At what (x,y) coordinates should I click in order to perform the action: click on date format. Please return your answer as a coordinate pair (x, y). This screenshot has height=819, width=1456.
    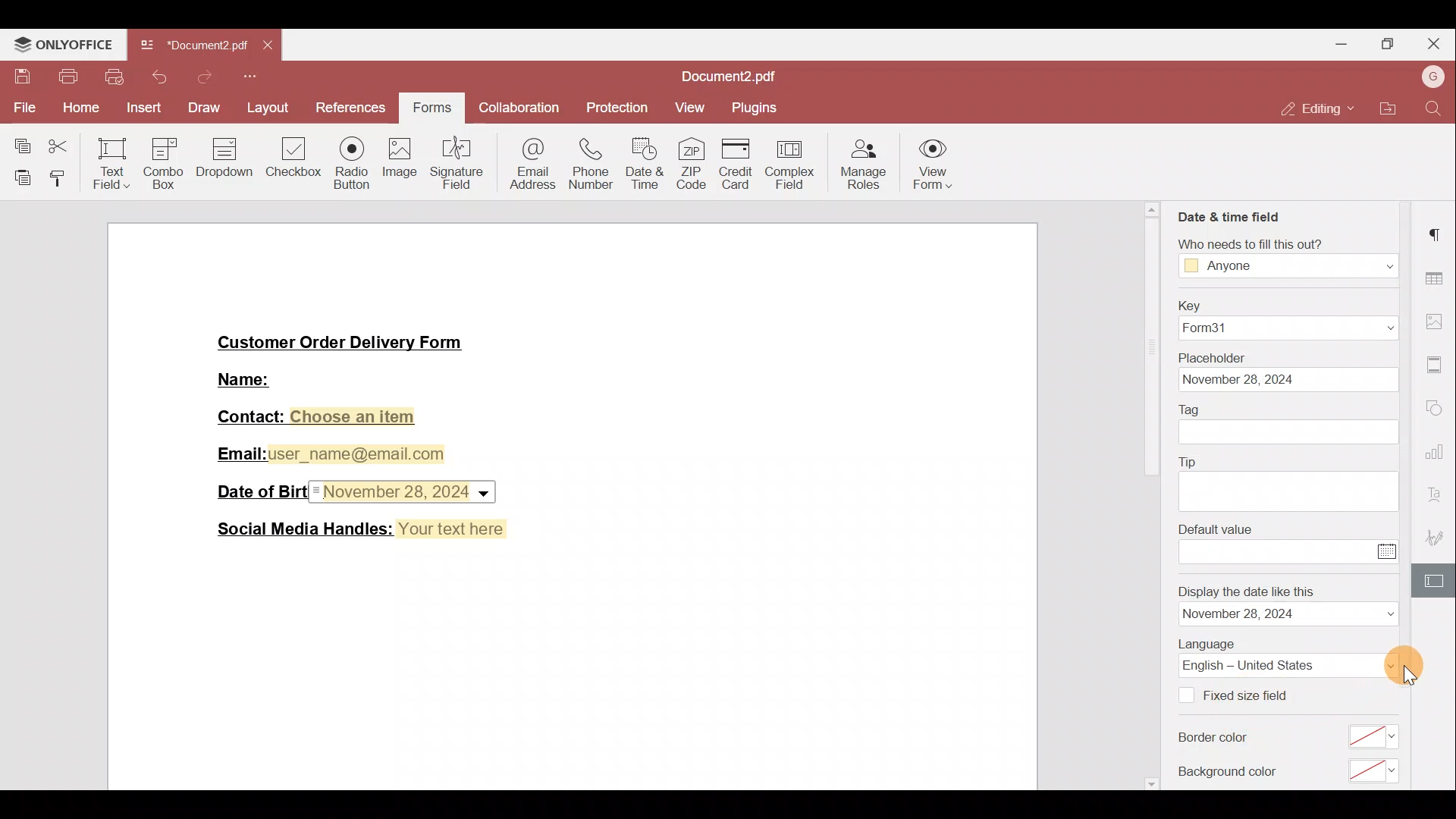
    Looking at the image, I should click on (1289, 614).